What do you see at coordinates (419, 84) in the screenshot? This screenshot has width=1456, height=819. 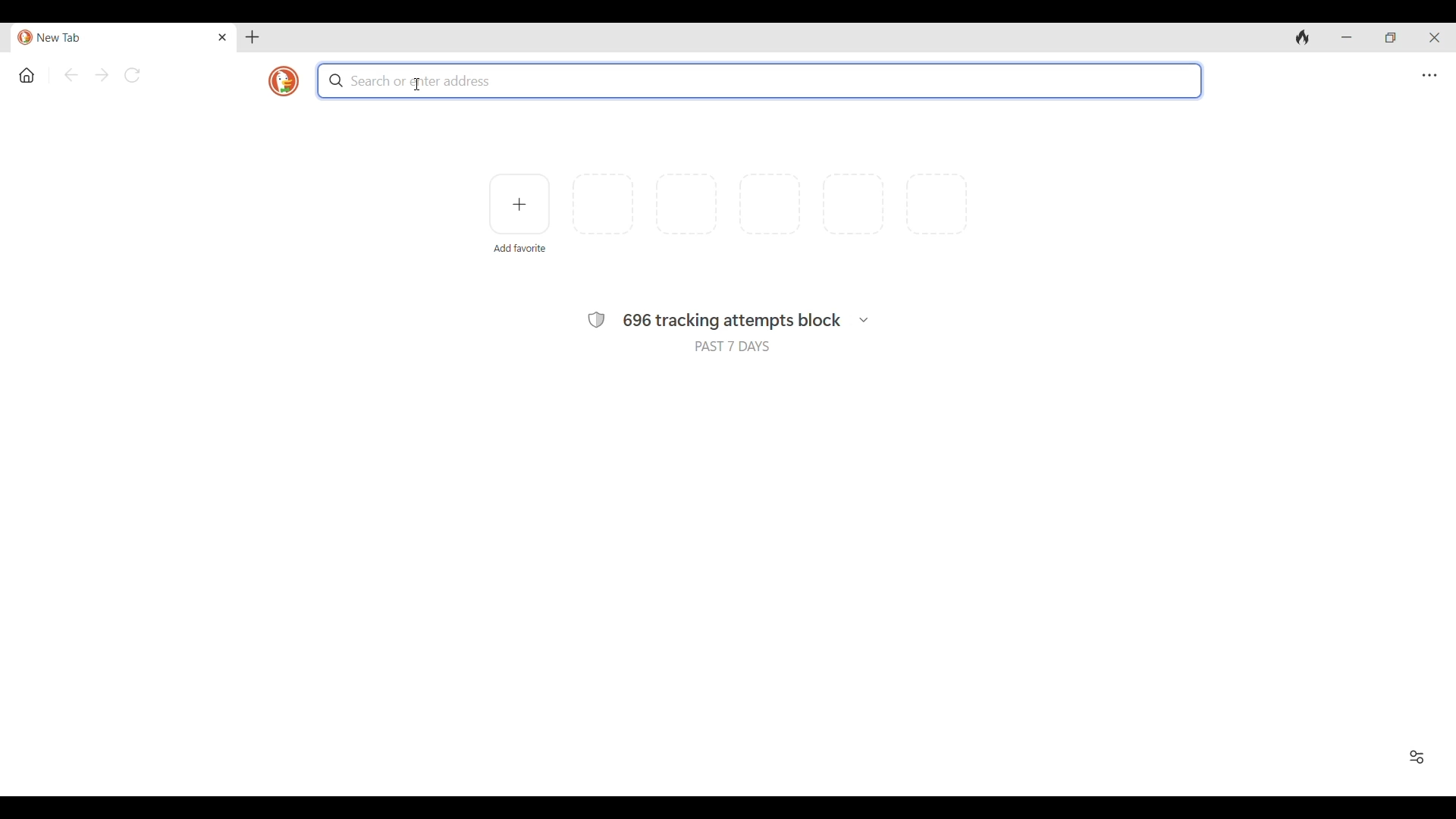 I see `Cursor clicking on search box` at bounding box center [419, 84].